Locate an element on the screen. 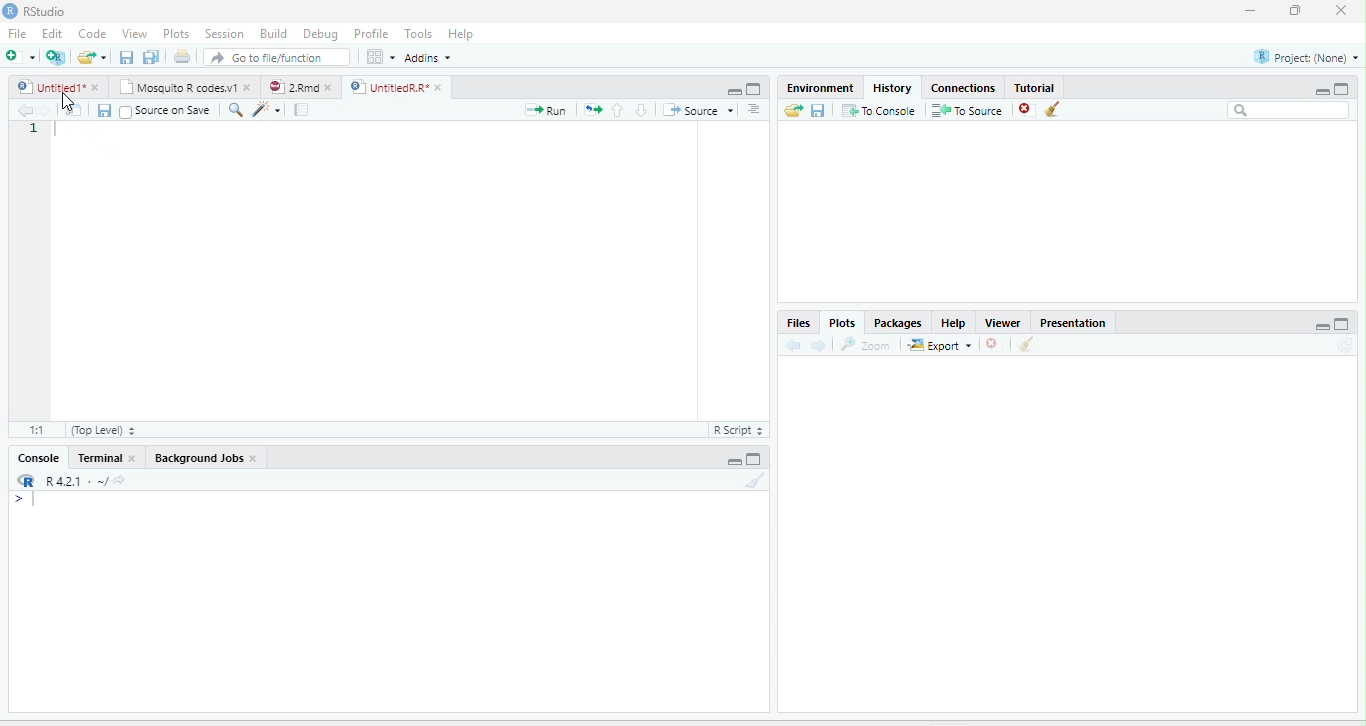 The height and width of the screenshot is (726, 1366). Go forward to next source location is located at coordinates (44, 110).